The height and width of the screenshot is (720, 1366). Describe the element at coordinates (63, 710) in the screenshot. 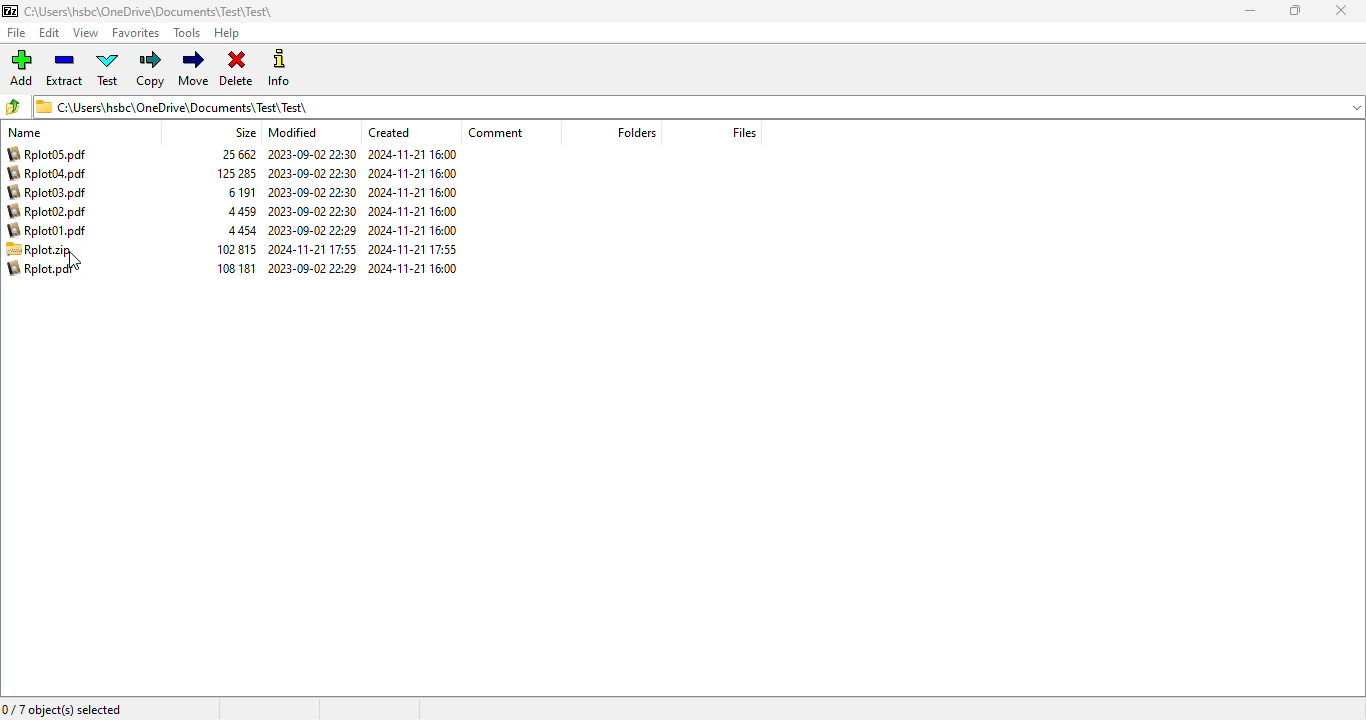

I see `0/7 object(s) selected` at that location.